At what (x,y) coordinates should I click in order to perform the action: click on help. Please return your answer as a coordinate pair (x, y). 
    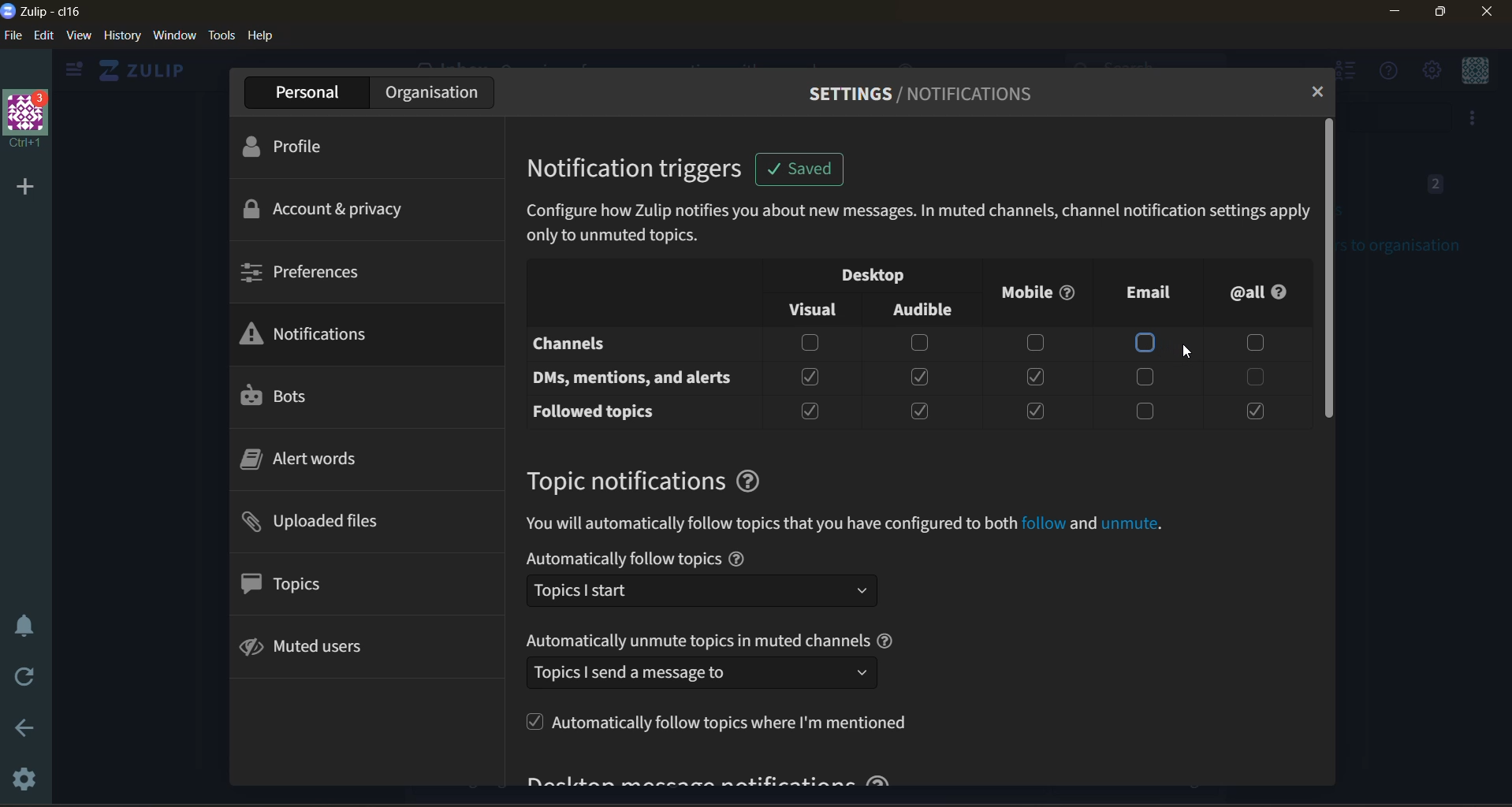
    Looking at the image, I should click on (736, 559).